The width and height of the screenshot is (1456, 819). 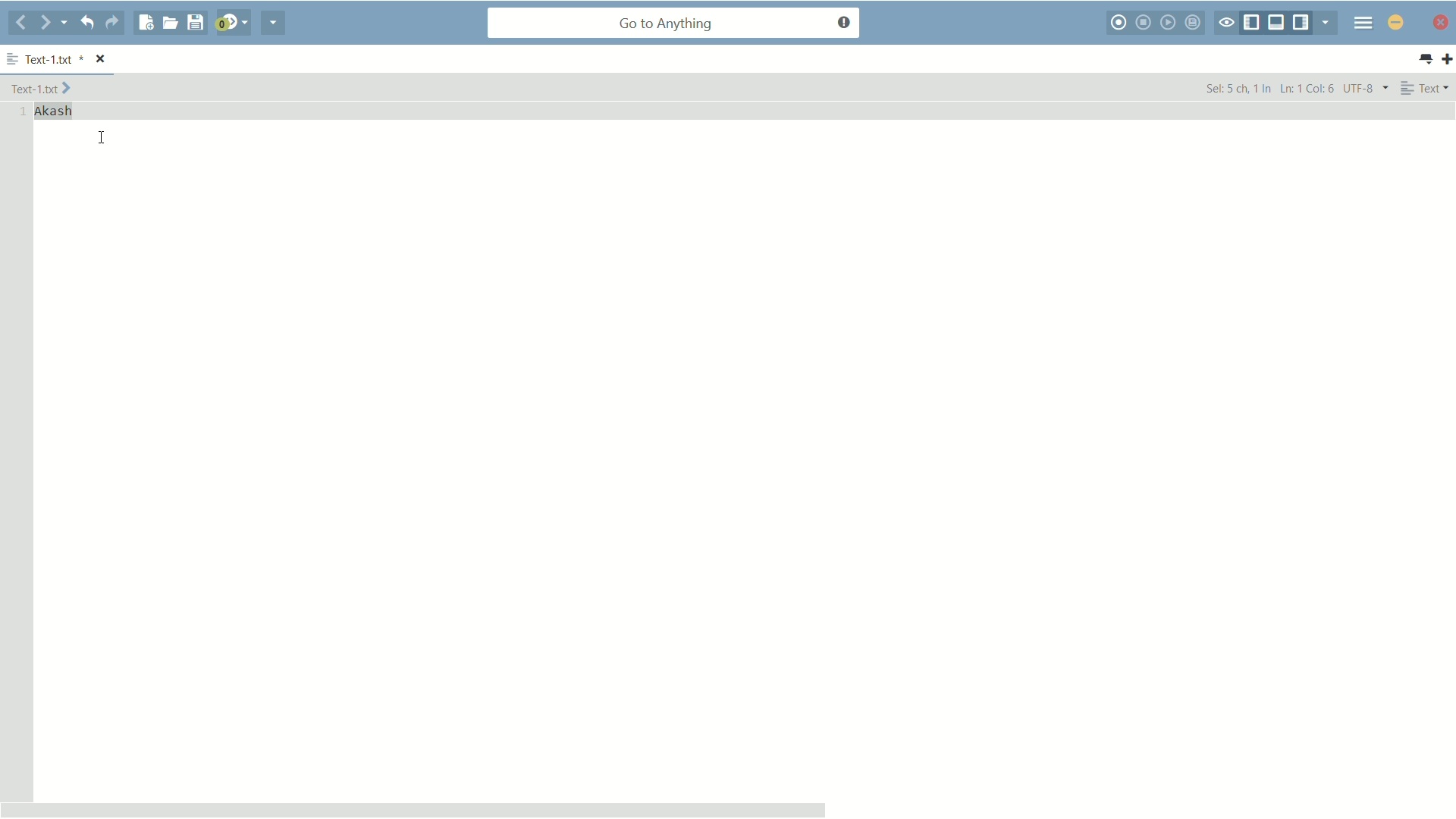 I want to click on hide/show right panel, so click(x=1303, y=23).